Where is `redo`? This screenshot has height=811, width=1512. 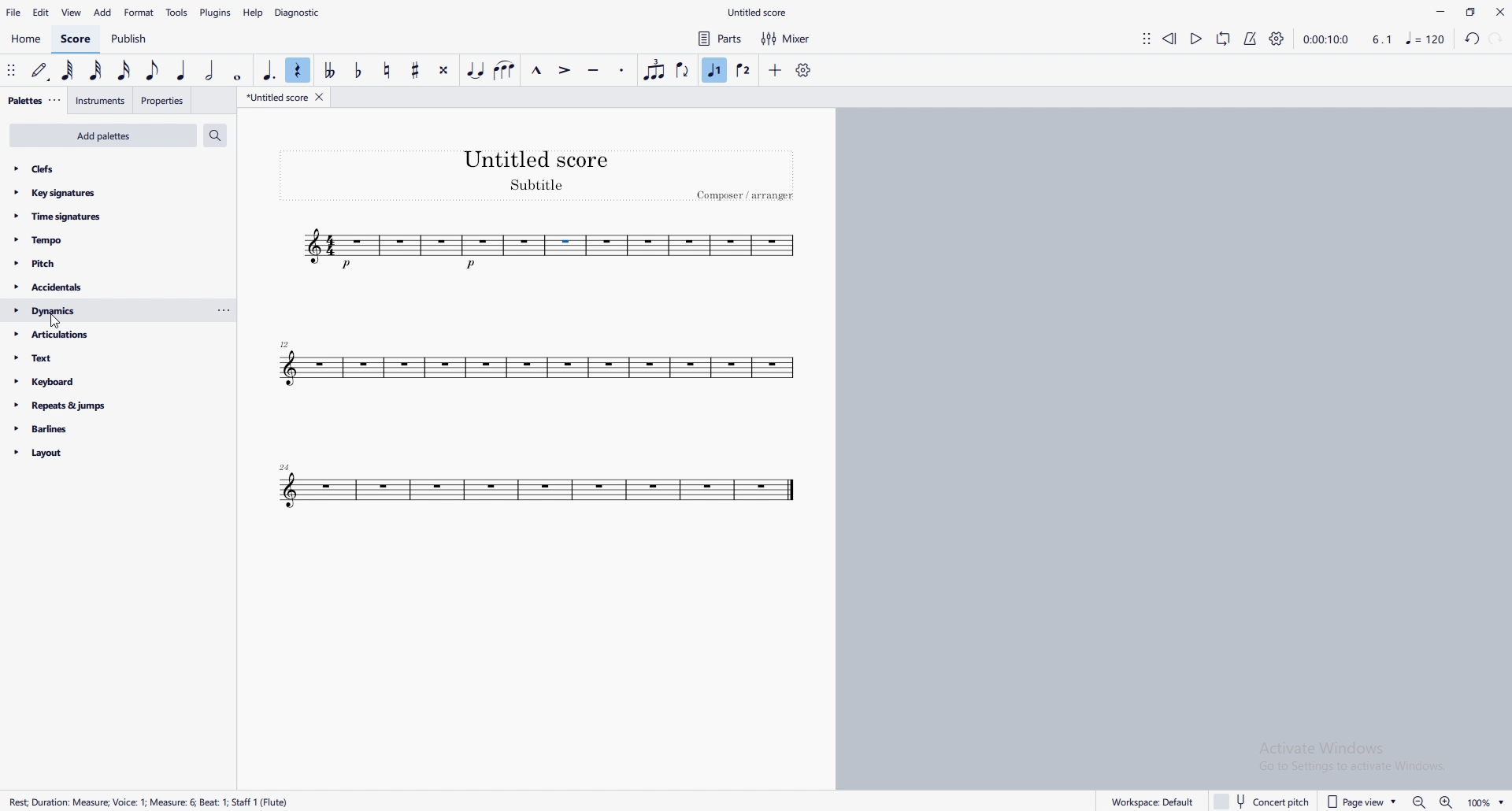
redo is located at coordinates (1495, 38).